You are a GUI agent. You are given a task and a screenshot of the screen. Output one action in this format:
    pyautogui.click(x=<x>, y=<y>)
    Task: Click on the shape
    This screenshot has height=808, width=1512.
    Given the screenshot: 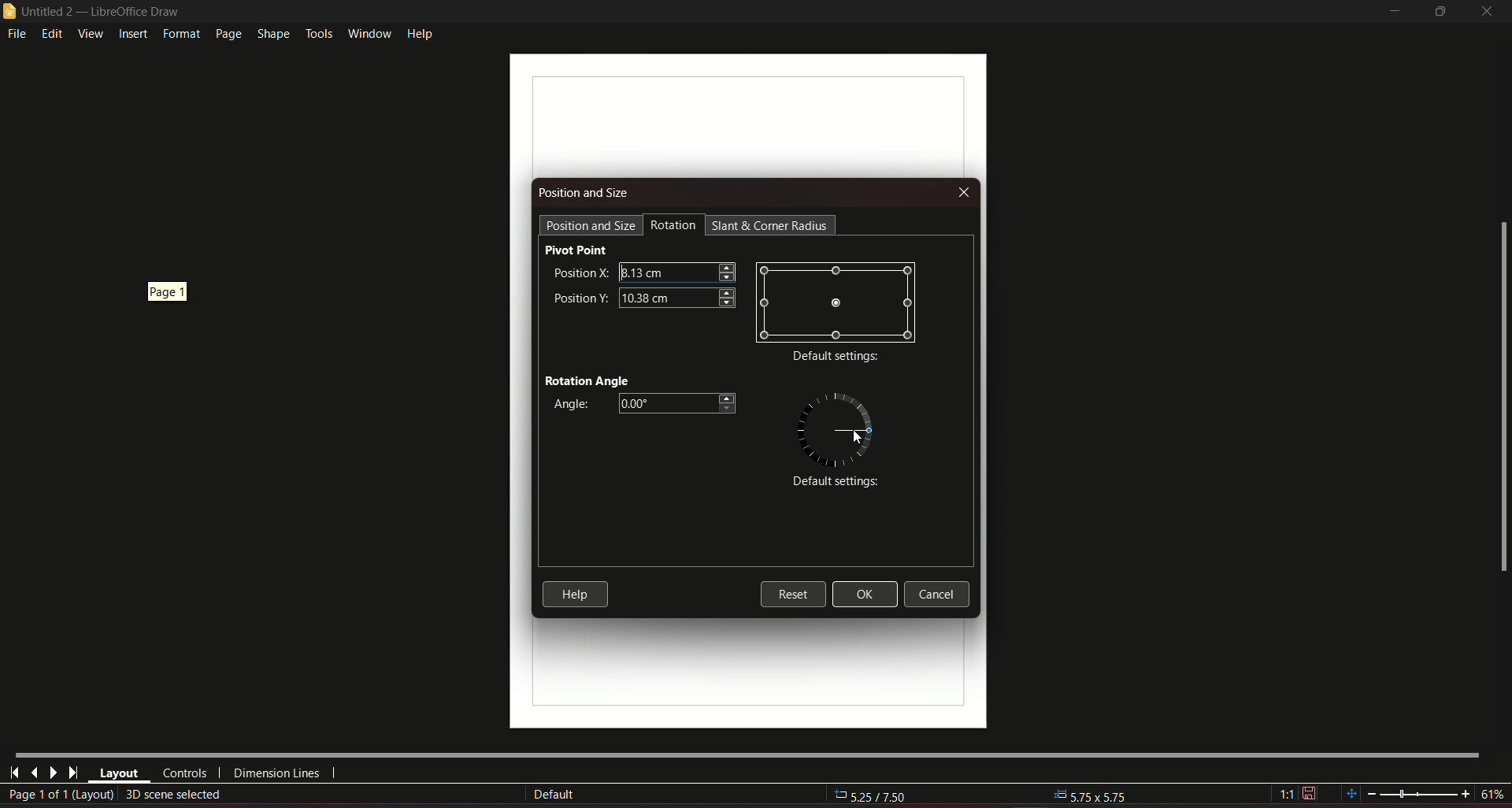 What is the action you would take?
    pyautogui.click(x=272, y=32)
    